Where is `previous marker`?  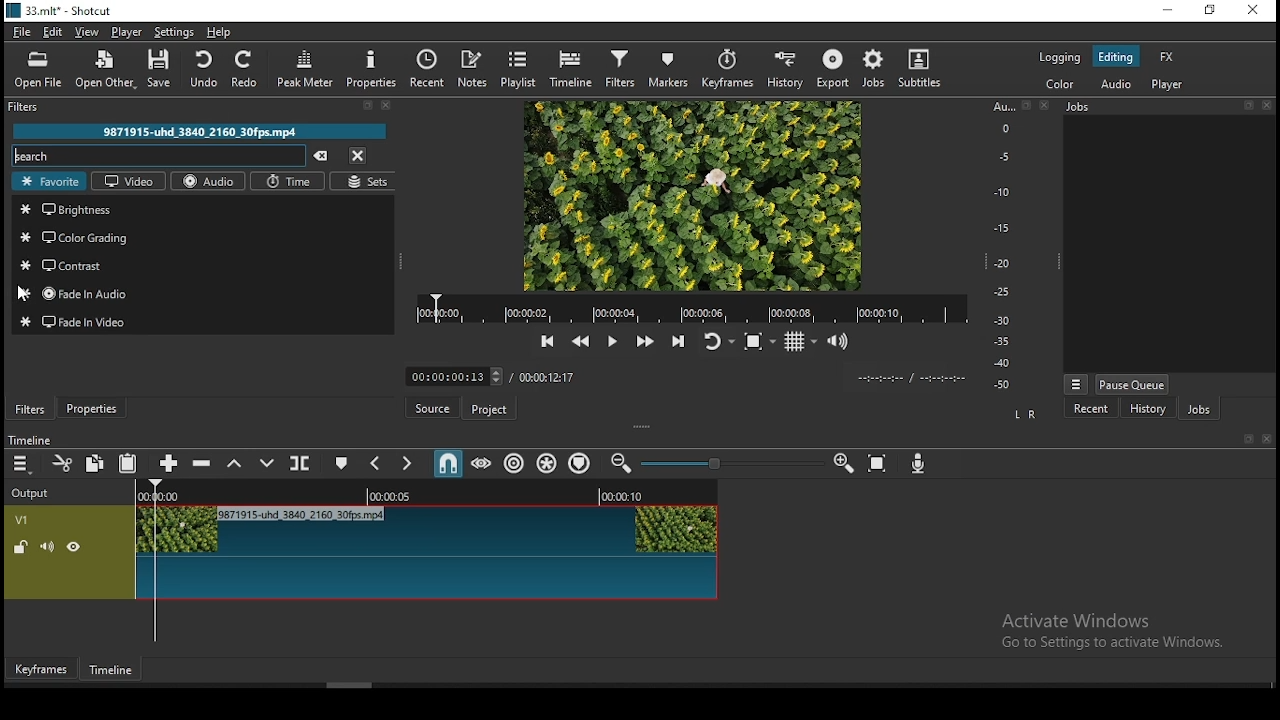
previous marker is located at coordinates (376, 463).